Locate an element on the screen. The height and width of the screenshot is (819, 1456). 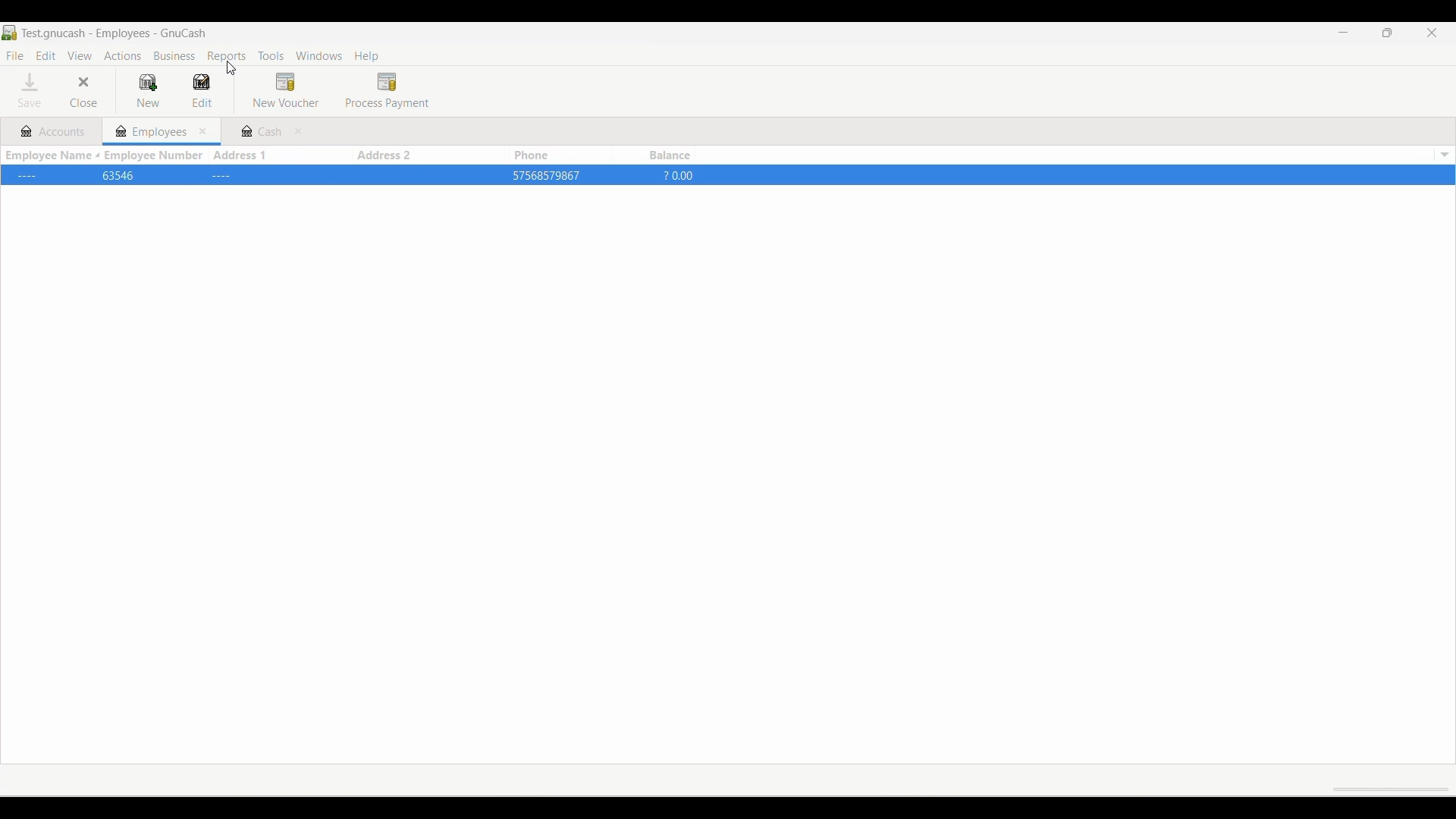
View is located at coordinates (79, 55).